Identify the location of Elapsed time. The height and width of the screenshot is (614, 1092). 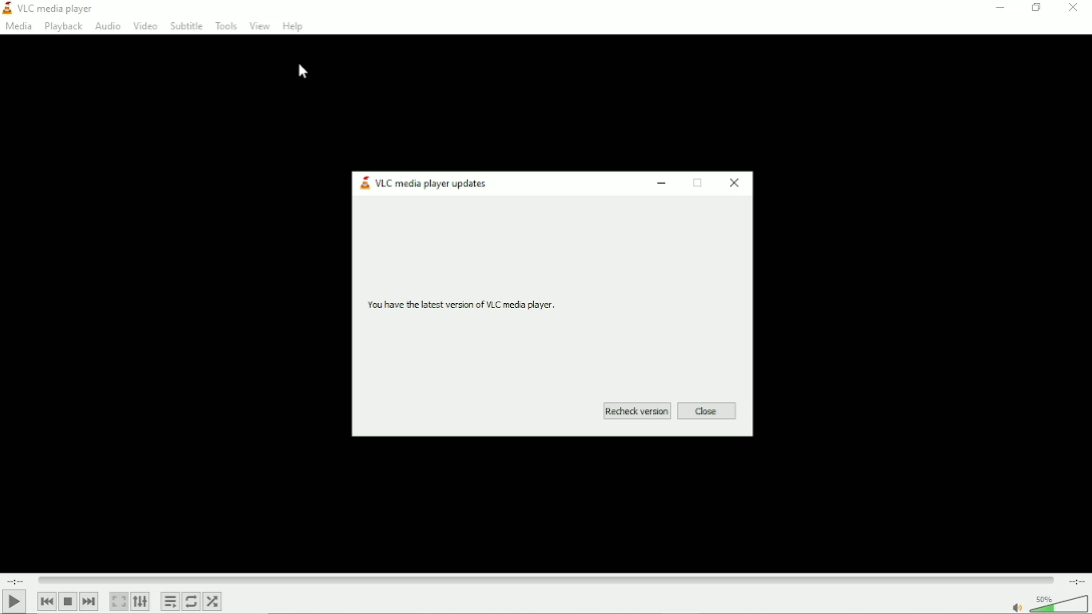
(16, 579).